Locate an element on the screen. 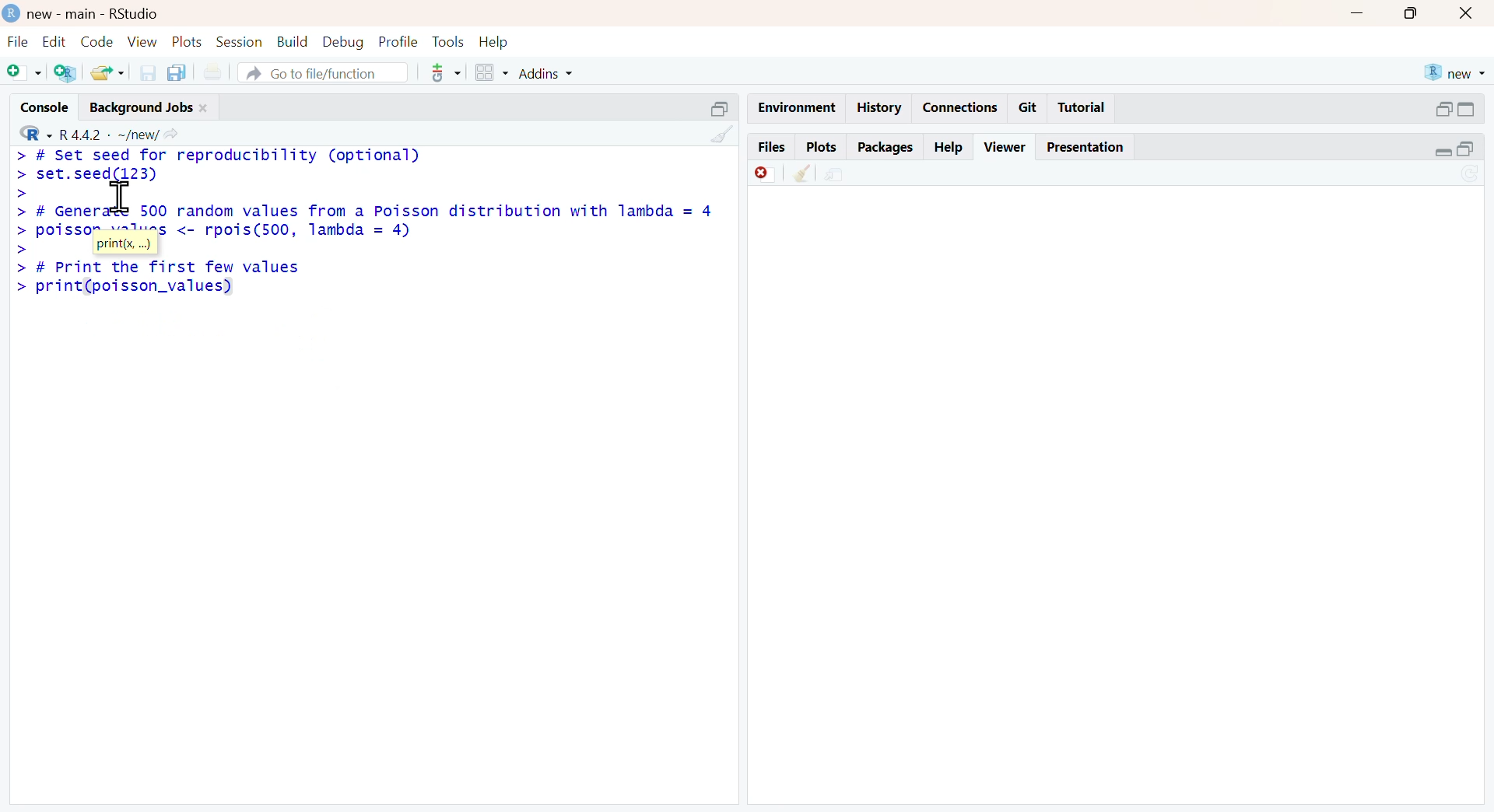  Share icon is located at coordinates (173, 134).